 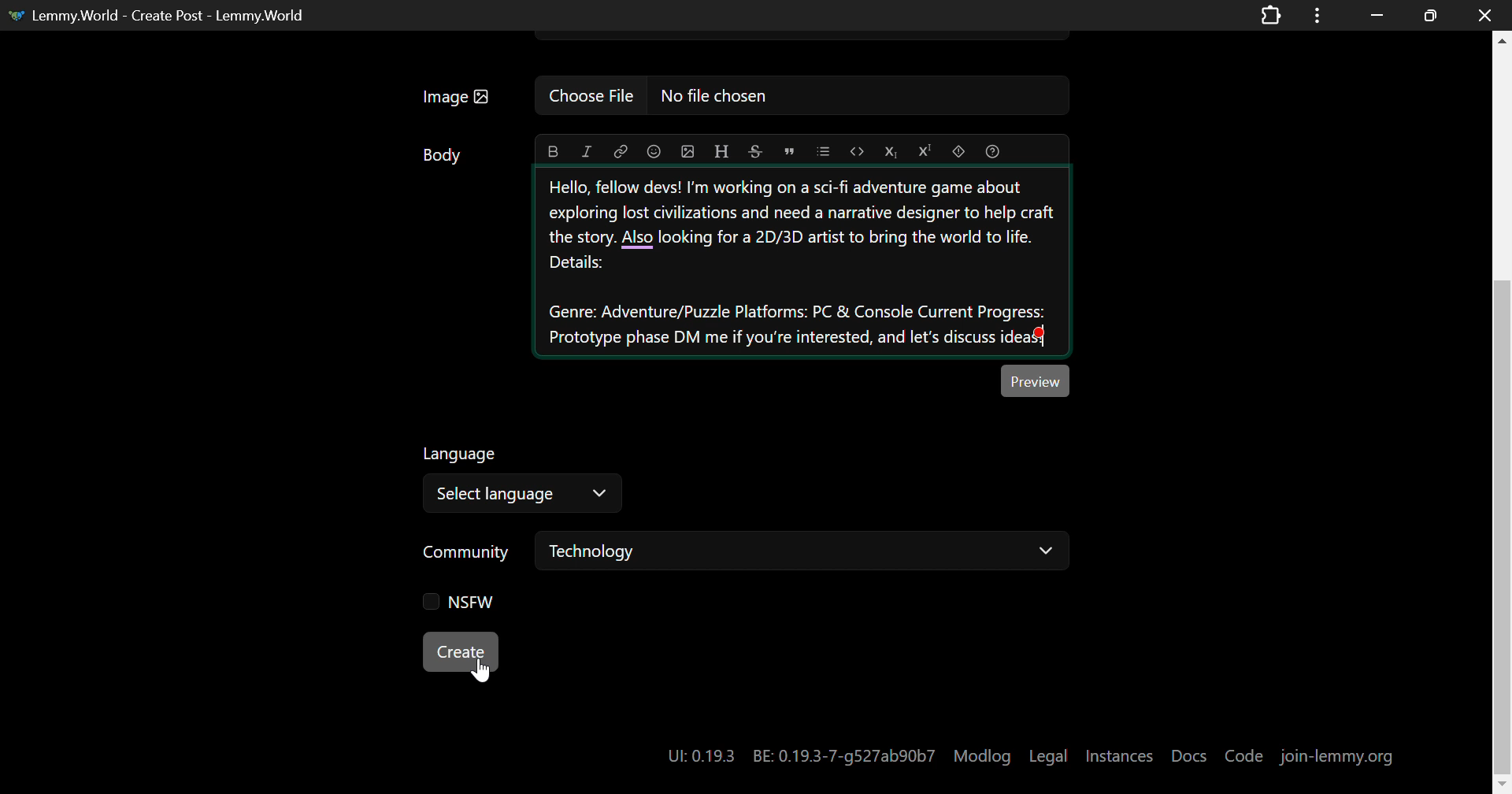 I want to click on Legal, so click(x=1051, y=752).